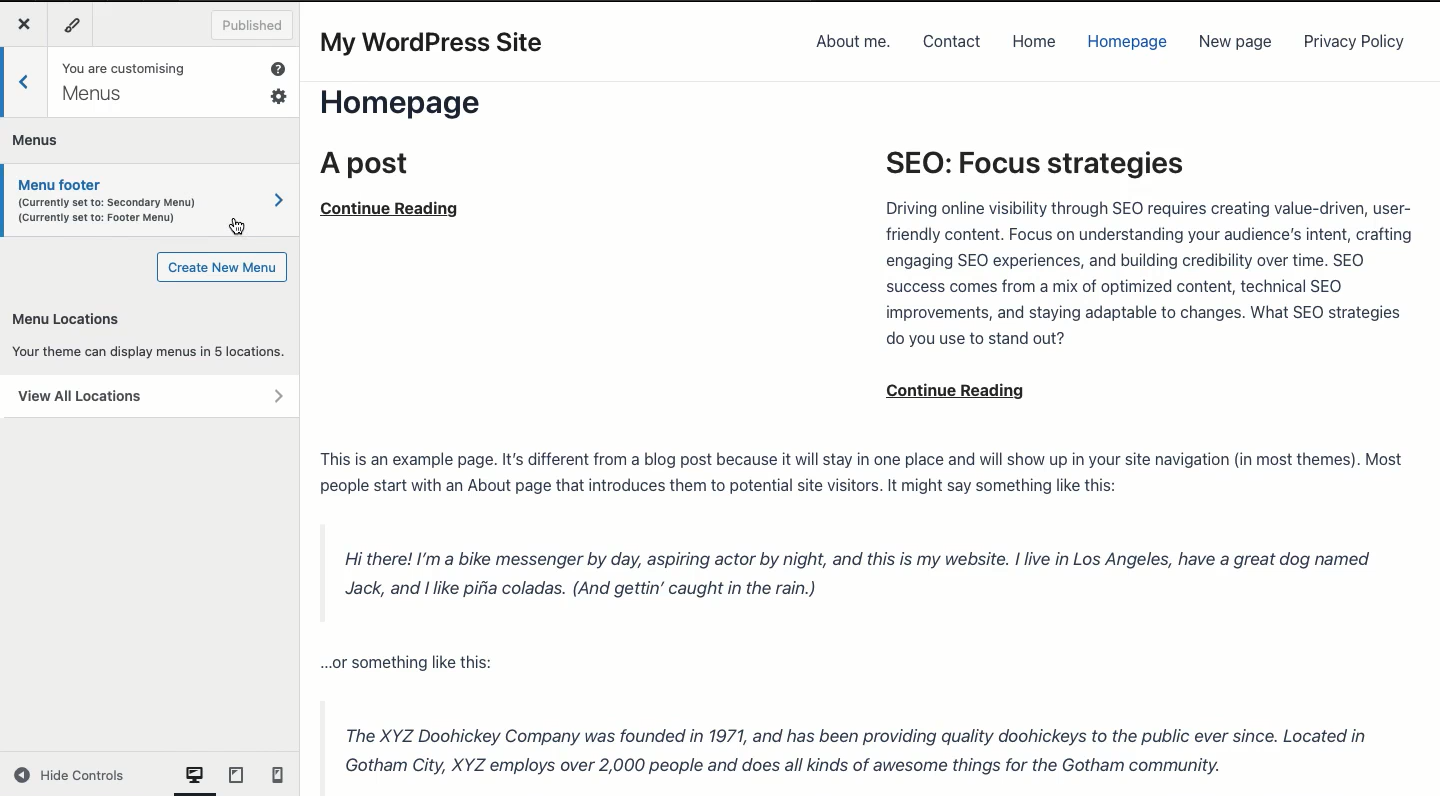 Image resolution: width=1440 pixels, height=796 pixels. Describe the element at coordinates (221, 266) in the screenshot. I see `Create new menu` at that location.